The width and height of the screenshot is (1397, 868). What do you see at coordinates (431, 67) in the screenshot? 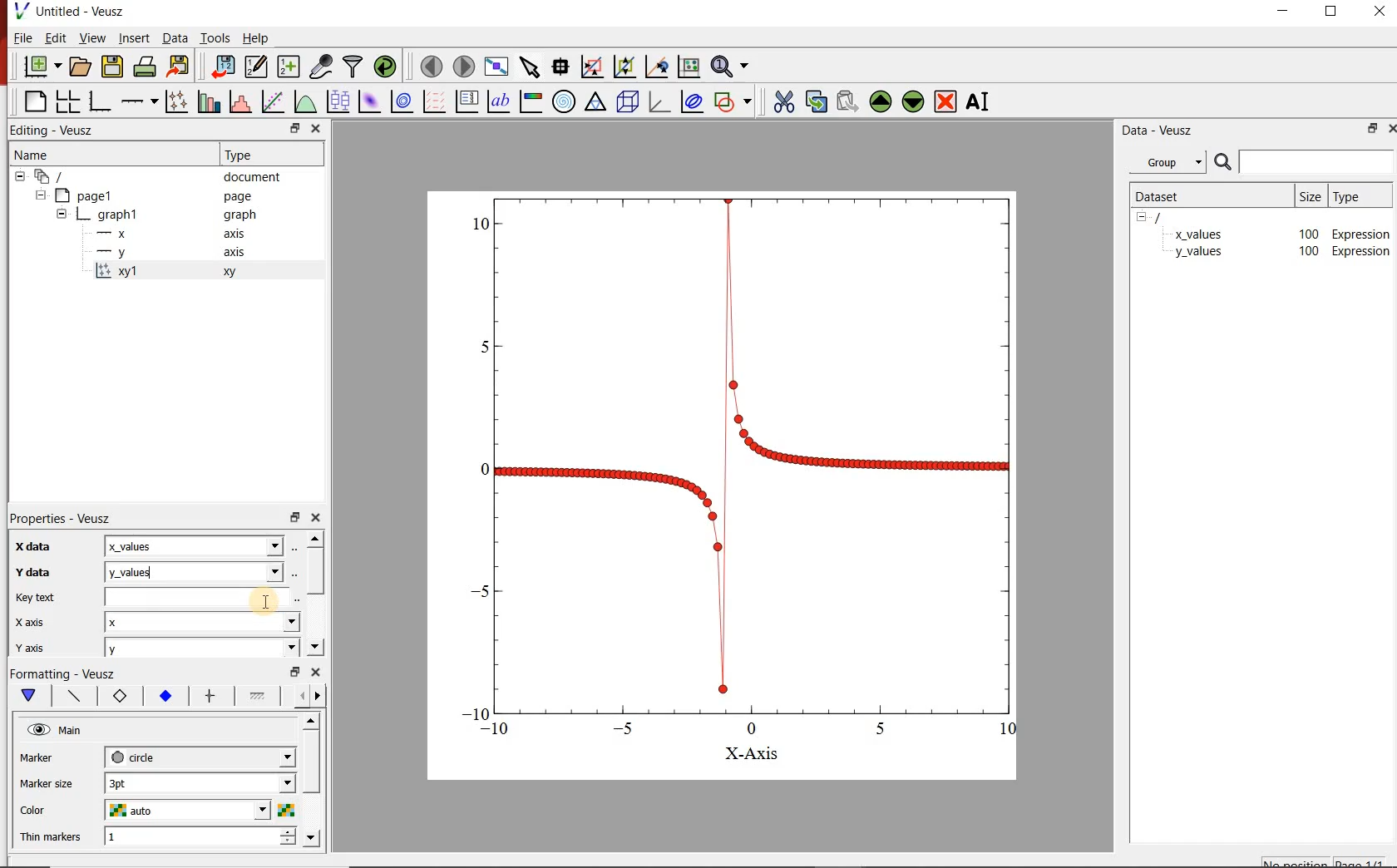
I see `move to previous page` at bounding box center [431, 67].